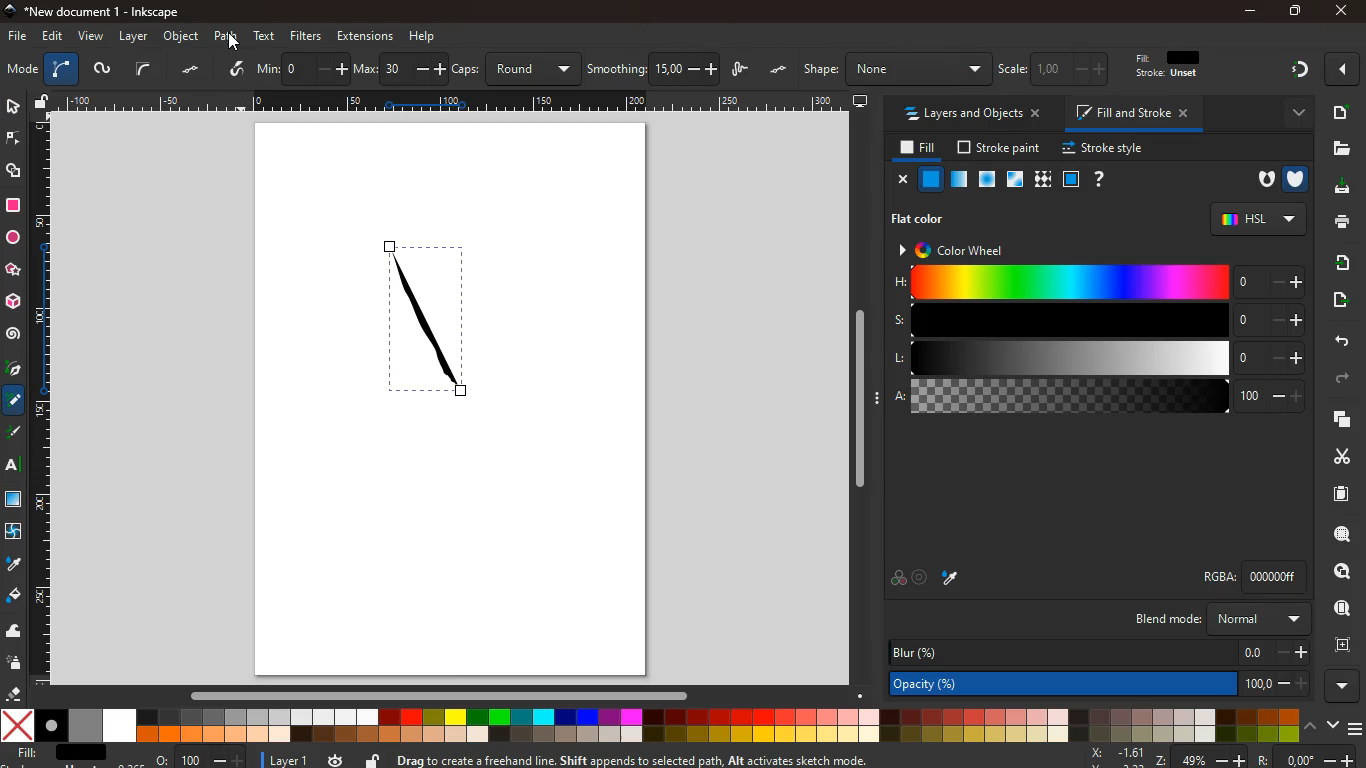 This screenshot has width=1366, height=768. What do you see at coordinates (1177, 65) in the screenshot?
I see `fill` at bounding box center [1177, 65].